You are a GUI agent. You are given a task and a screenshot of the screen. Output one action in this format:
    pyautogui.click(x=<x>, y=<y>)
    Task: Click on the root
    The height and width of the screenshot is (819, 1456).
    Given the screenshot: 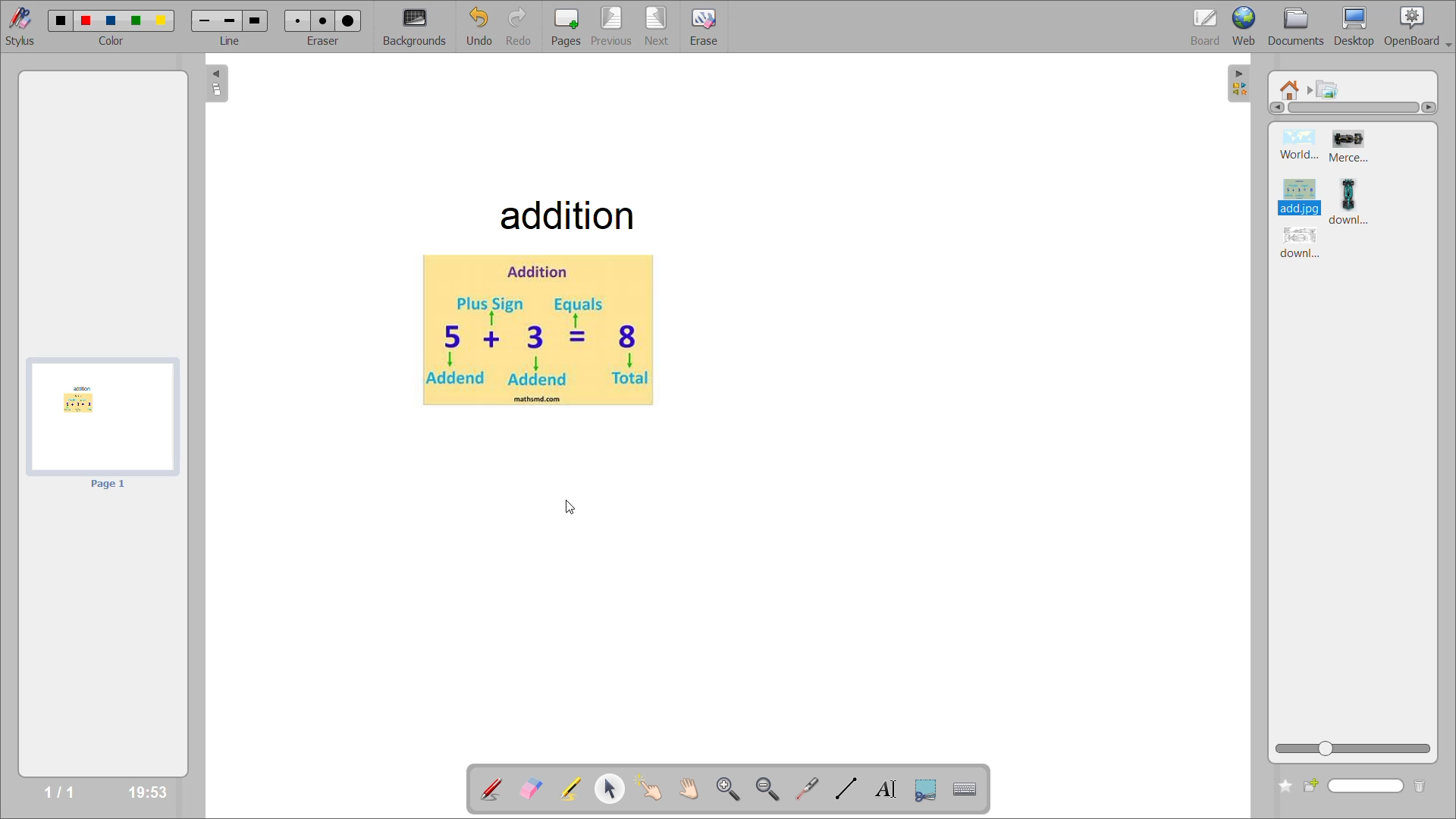 What is the action you would take?
    pyautogui.click(x=1288, y=89)
    